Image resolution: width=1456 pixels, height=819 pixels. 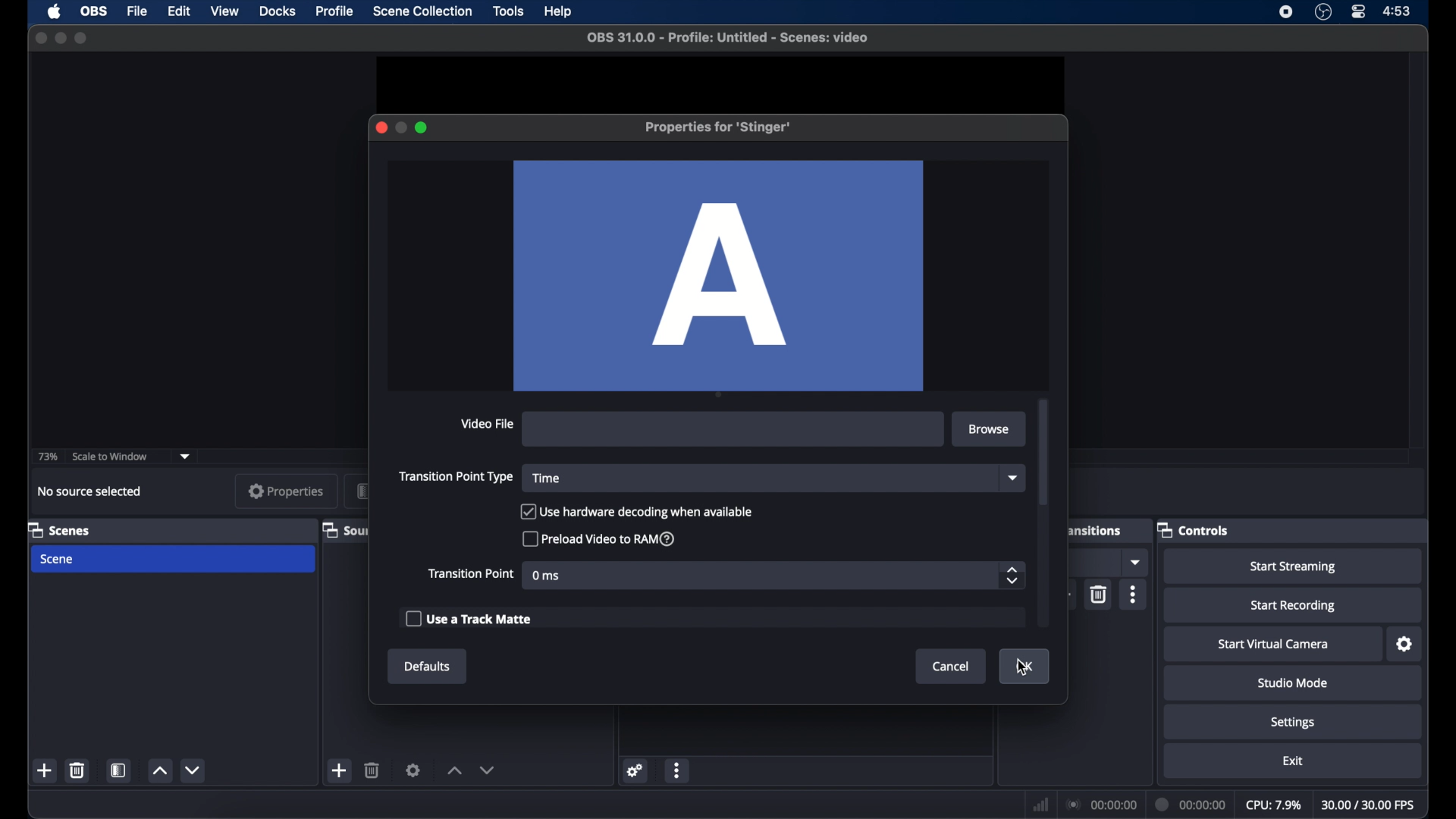 I want to click on delete, so click(x=373, y=770).